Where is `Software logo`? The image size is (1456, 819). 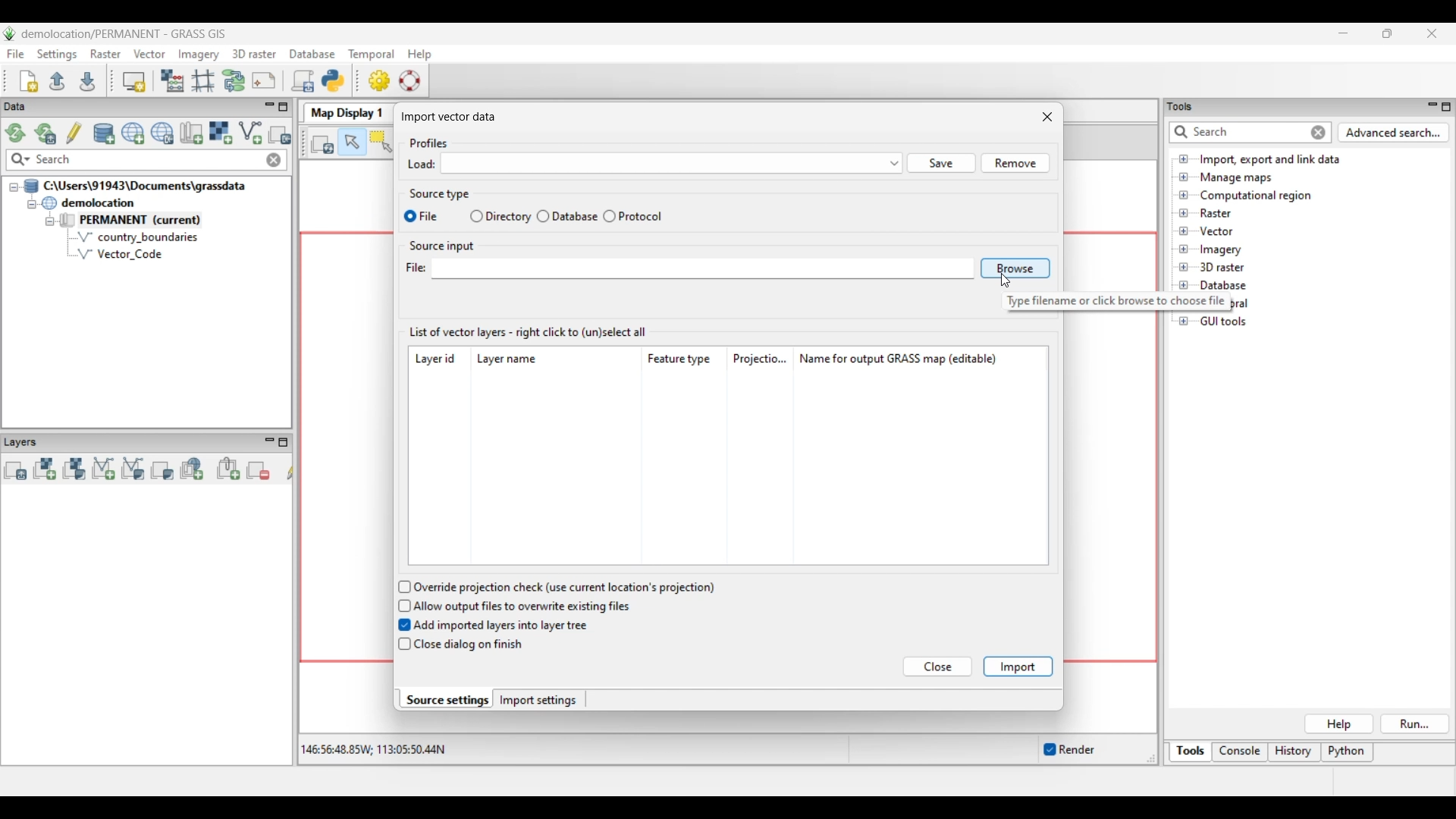 Software logo is located at coordinates (10, 33).